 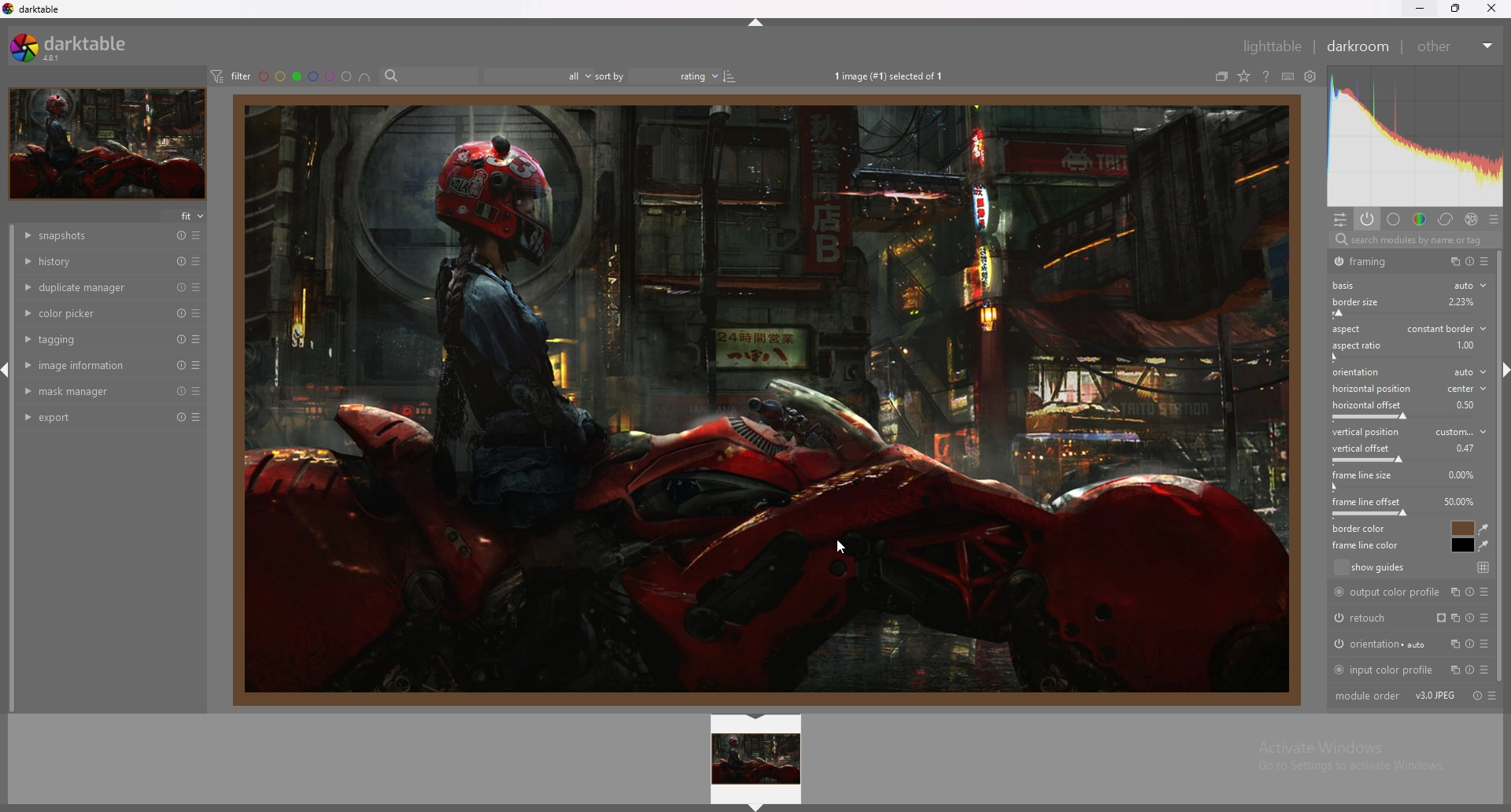 I want to click on target image with added borders., so click(x=768, y=398).